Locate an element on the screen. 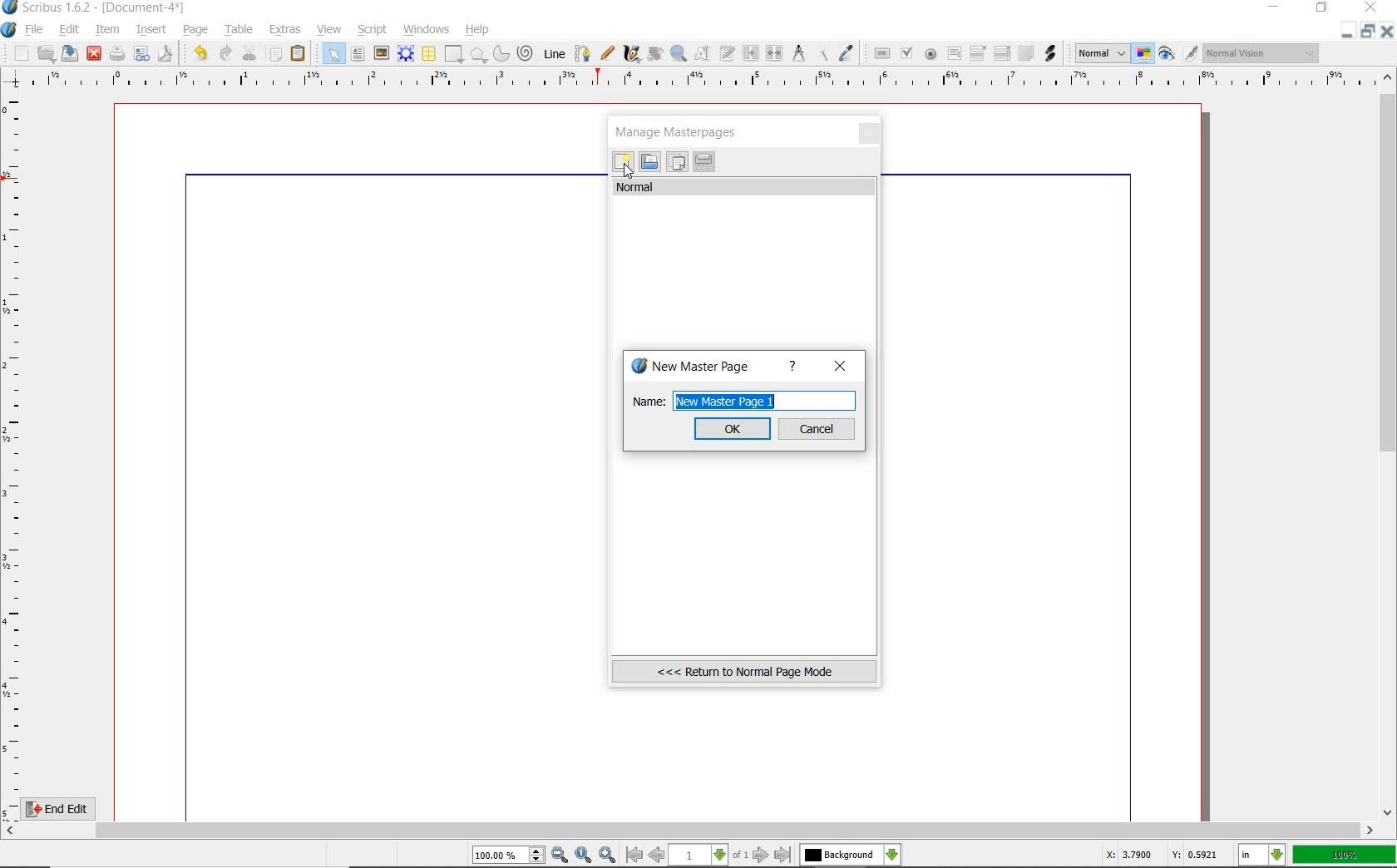 This screenshot has height=868, width=1397. Cursor is located at coordinates (628, 170).